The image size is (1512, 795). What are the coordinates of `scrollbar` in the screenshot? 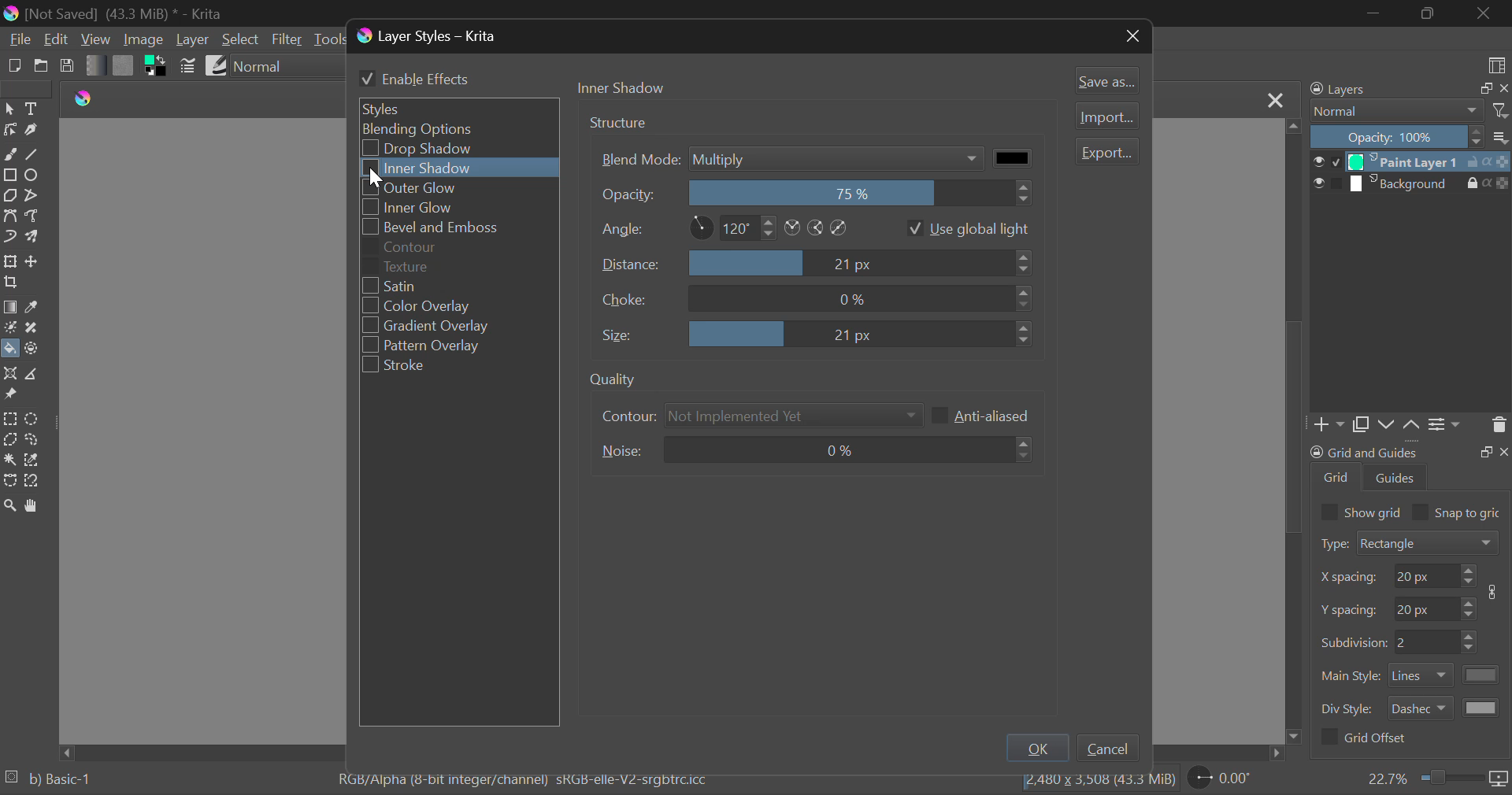 It's located at (1290, 438).